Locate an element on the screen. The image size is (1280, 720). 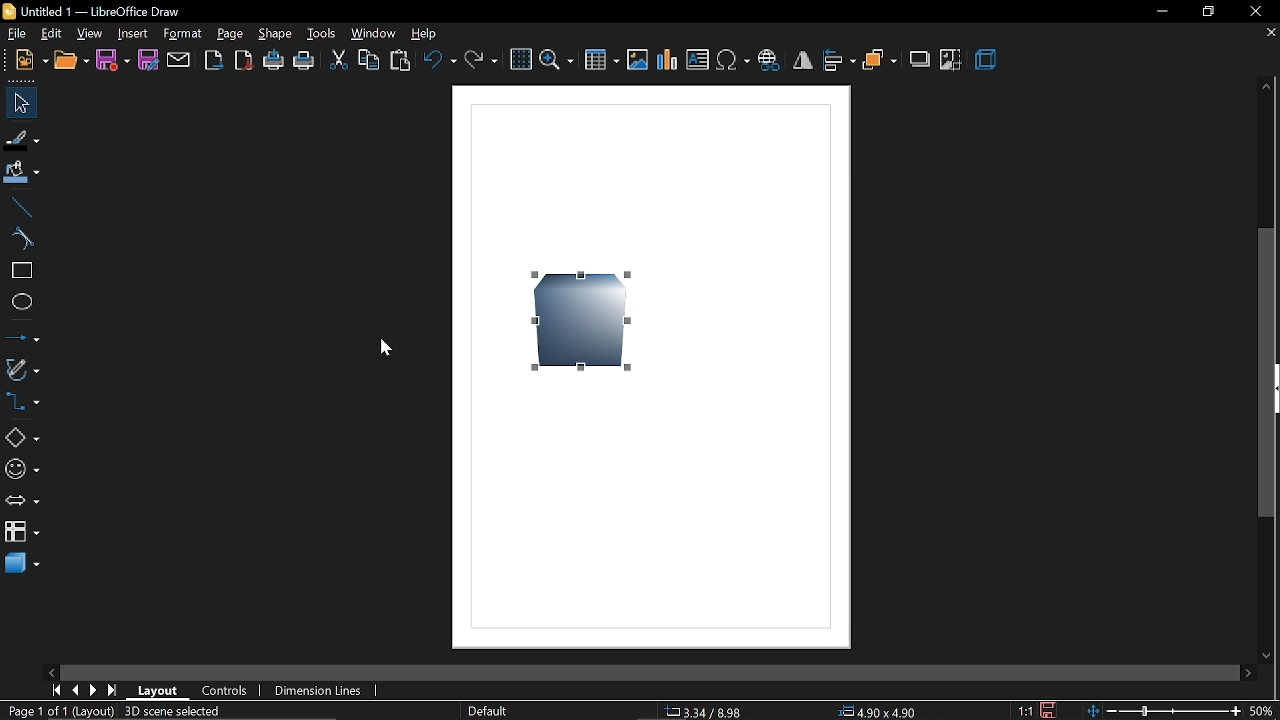
edit is located at coordinates (52, 35).